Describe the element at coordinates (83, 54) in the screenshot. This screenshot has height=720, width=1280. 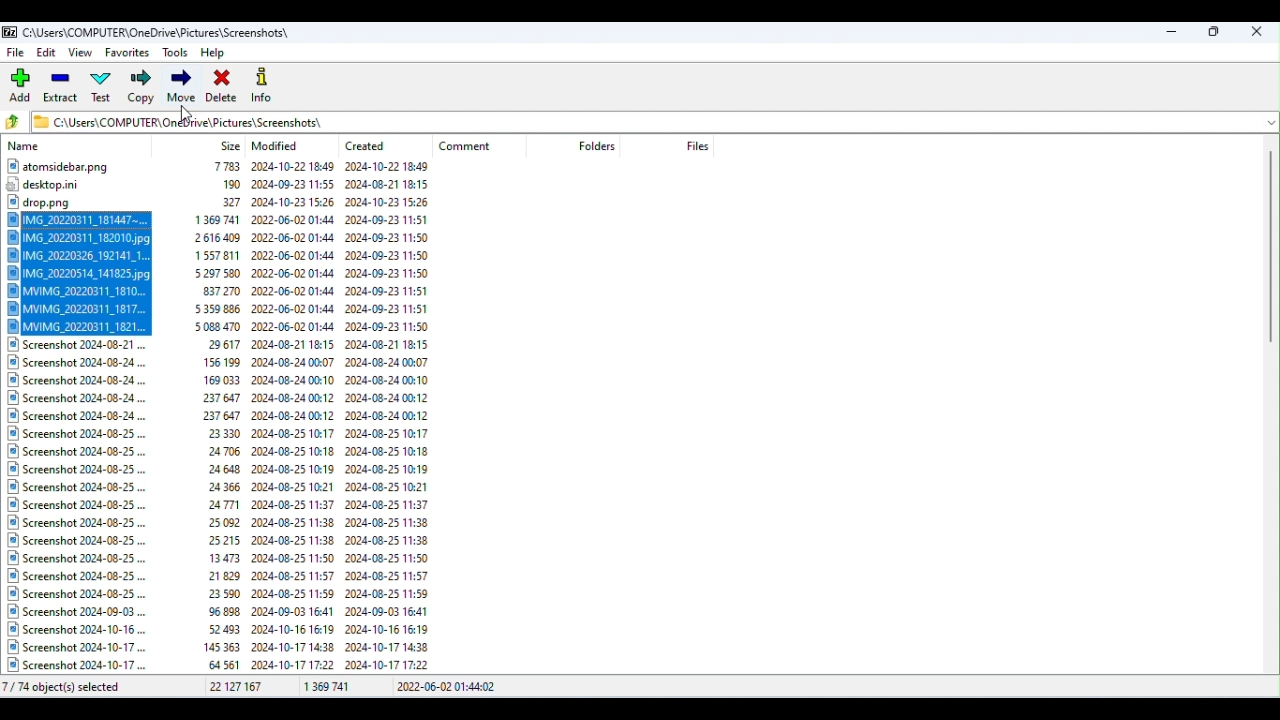
I see `View` at that location.